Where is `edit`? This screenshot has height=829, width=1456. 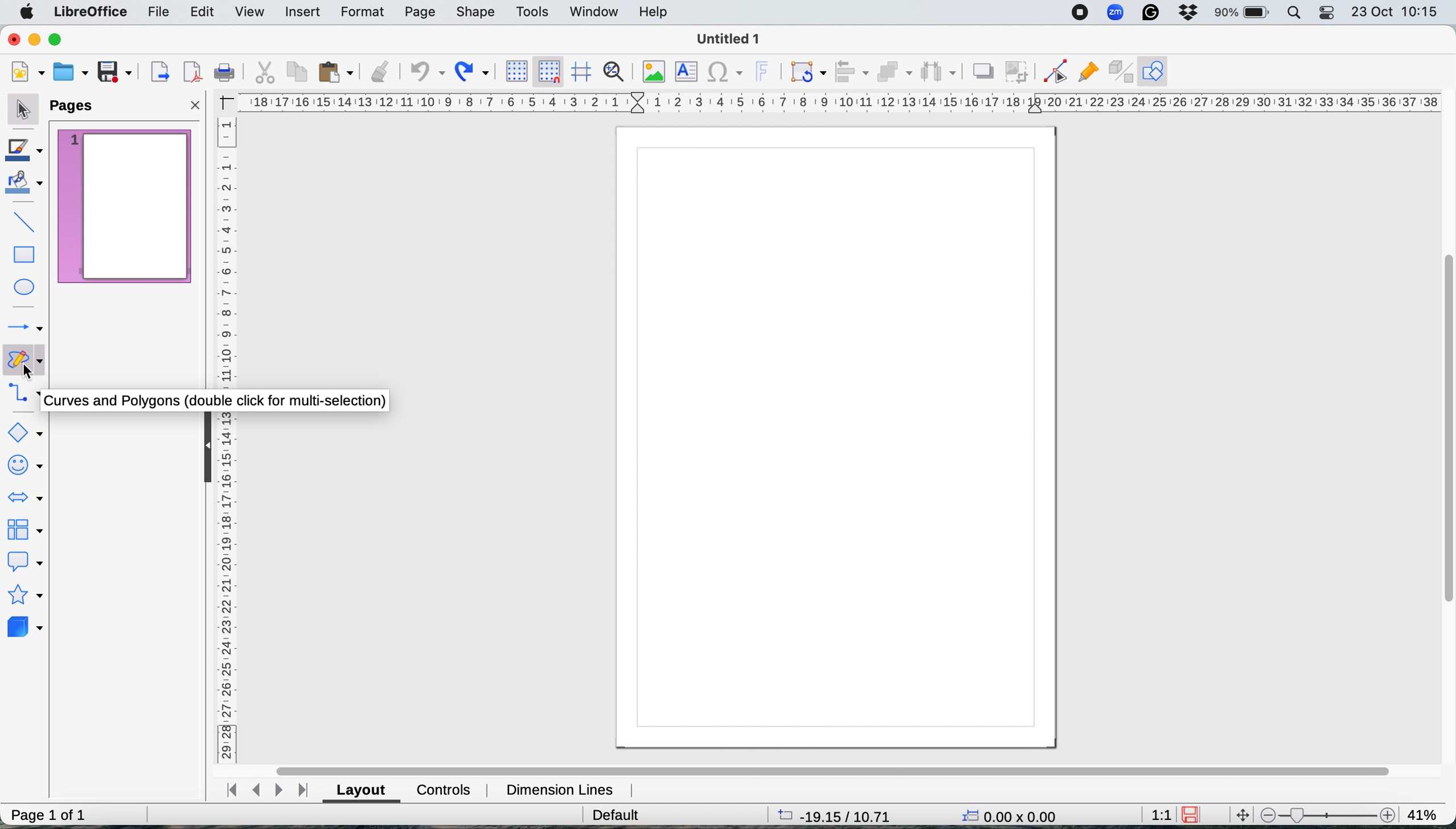
edit is located at coordinates (204, 12).